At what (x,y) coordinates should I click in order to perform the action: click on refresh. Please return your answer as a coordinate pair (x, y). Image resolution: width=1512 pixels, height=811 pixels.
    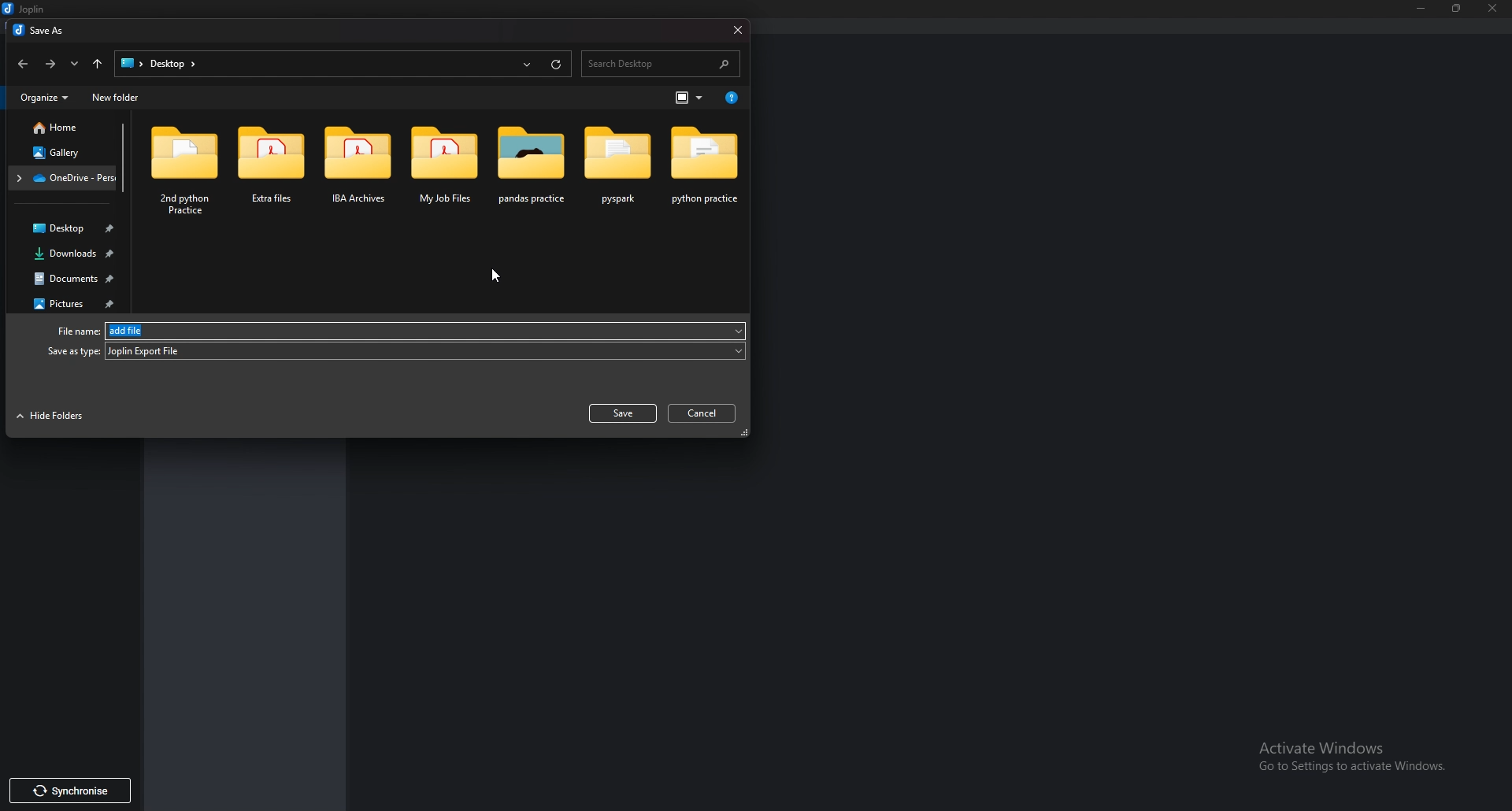
    Looking at the image, I should click on (558, 65).